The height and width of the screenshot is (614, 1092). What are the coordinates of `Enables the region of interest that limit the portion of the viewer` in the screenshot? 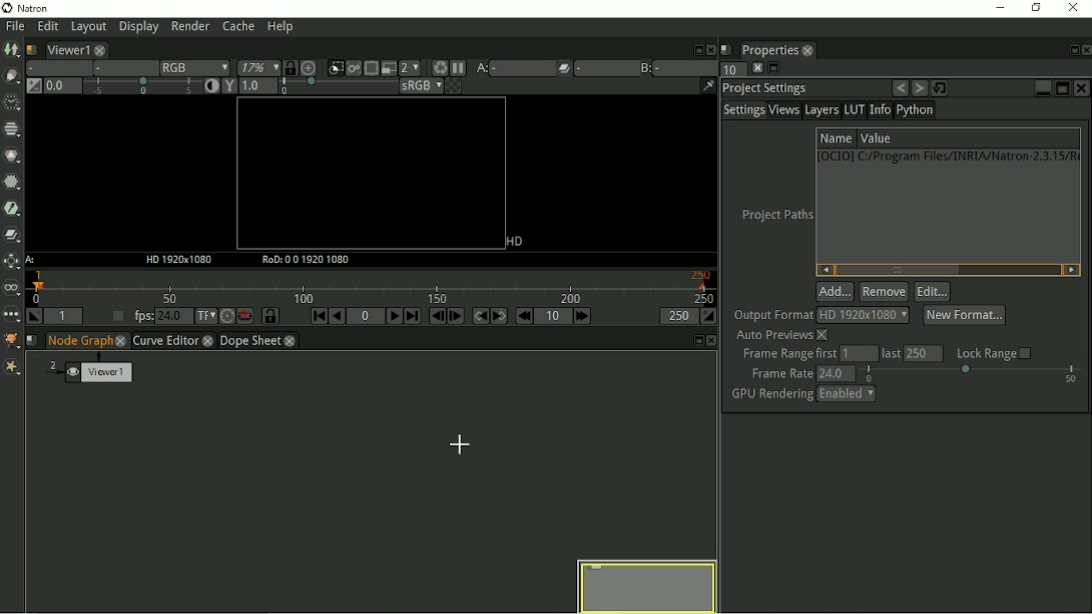 It's located at (370, 67).